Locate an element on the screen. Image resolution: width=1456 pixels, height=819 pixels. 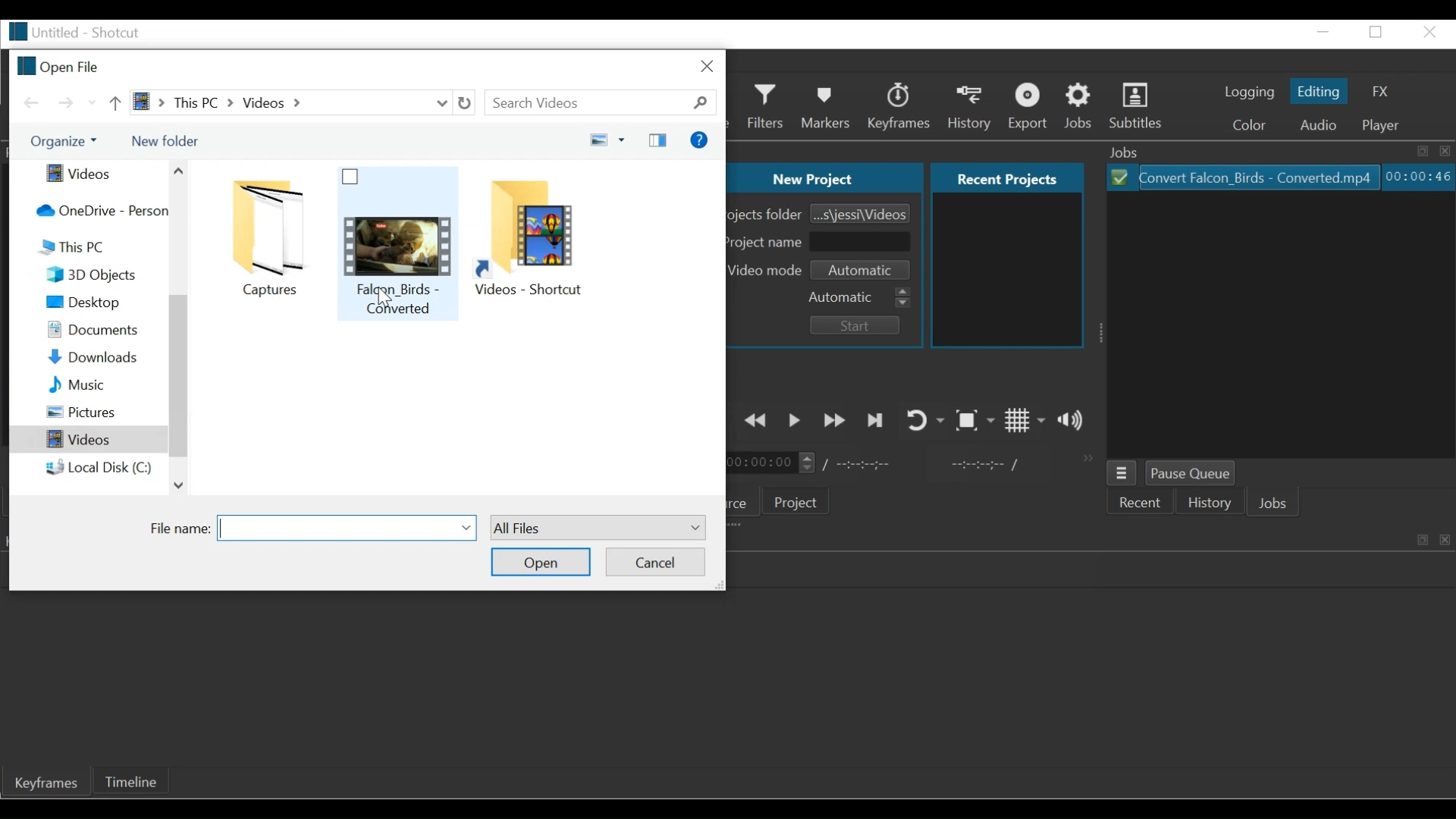
Cancel is located at coordinates (654, 562).